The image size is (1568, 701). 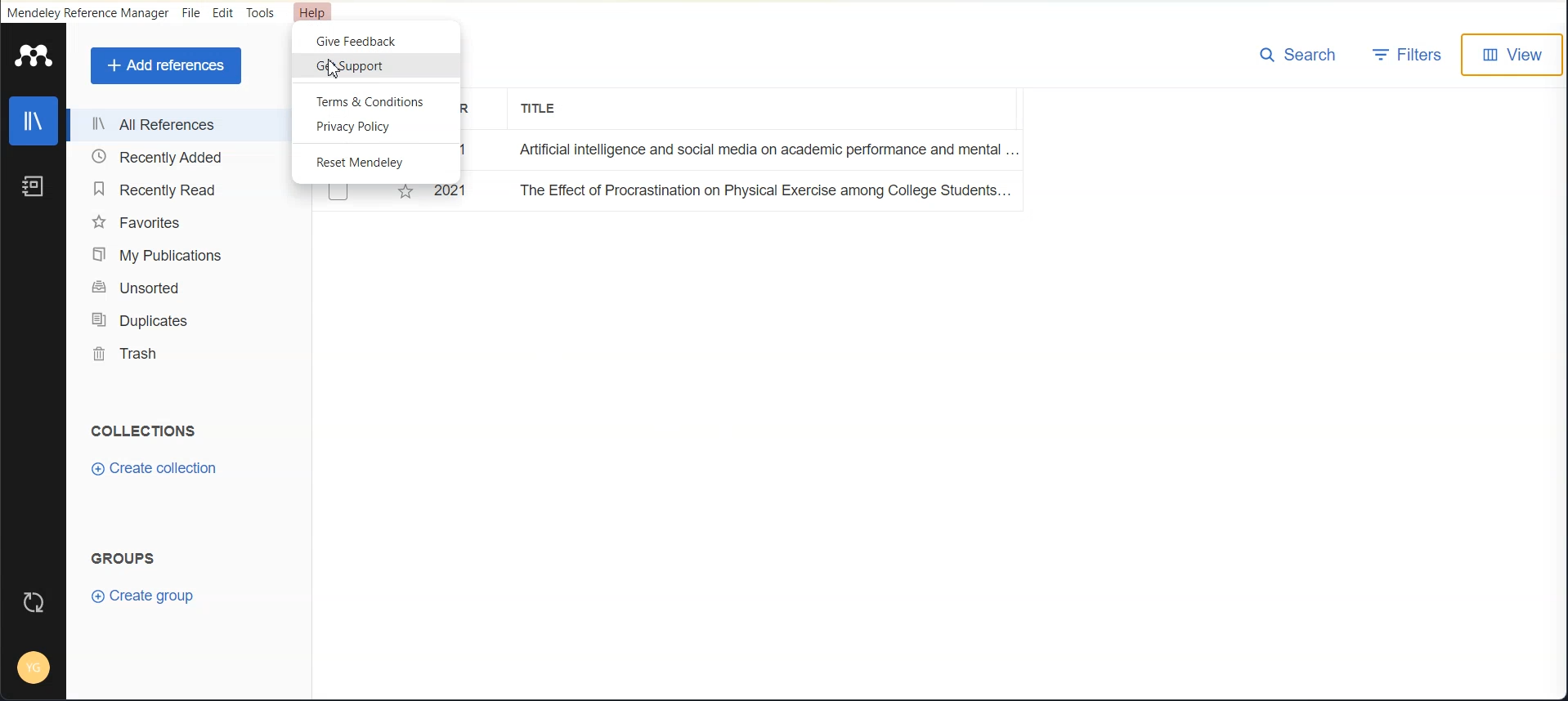 I want to click on Give Feedback, so click(x=375, y=40).